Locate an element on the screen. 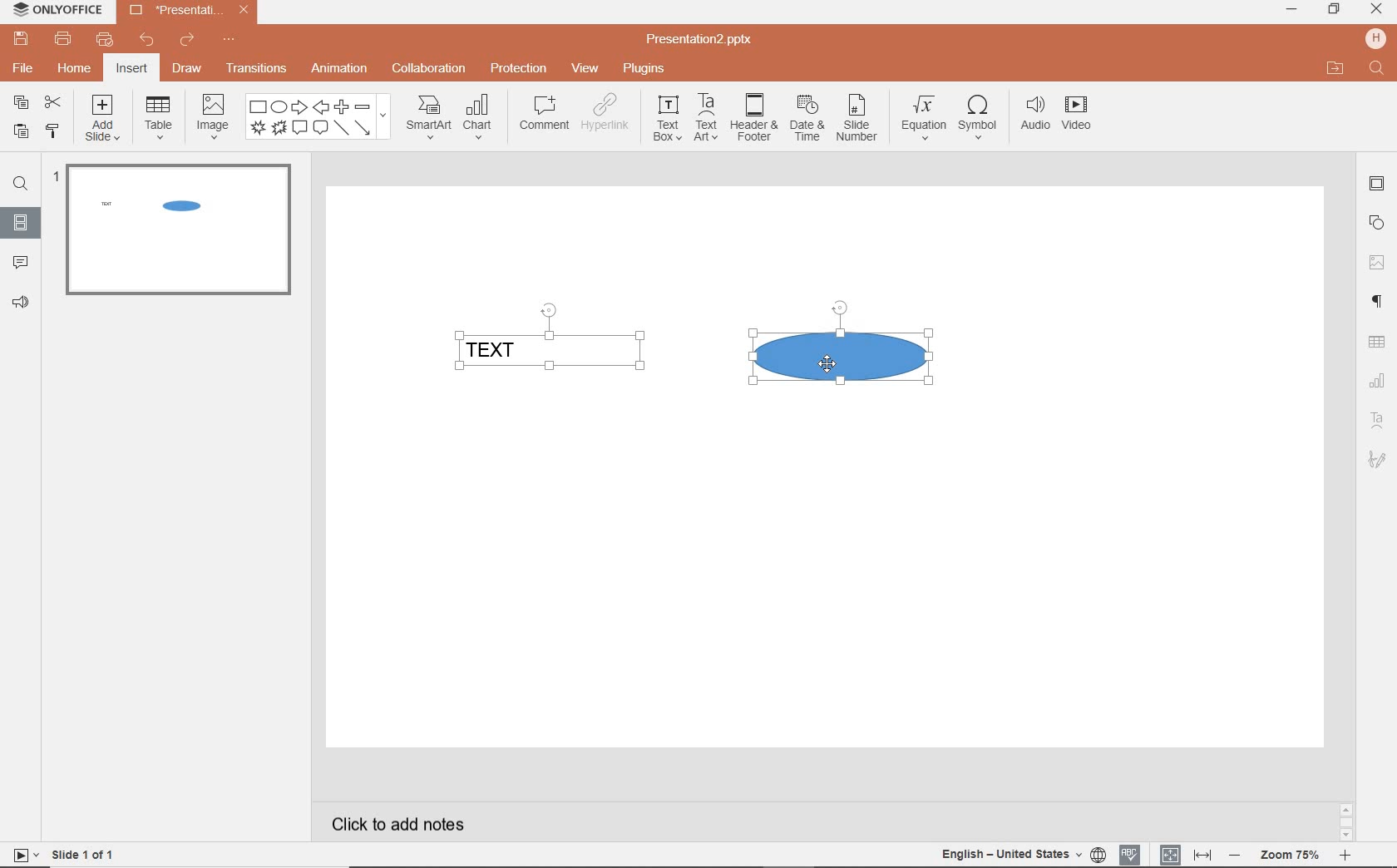  copy style is located at coordinates (52, 131).